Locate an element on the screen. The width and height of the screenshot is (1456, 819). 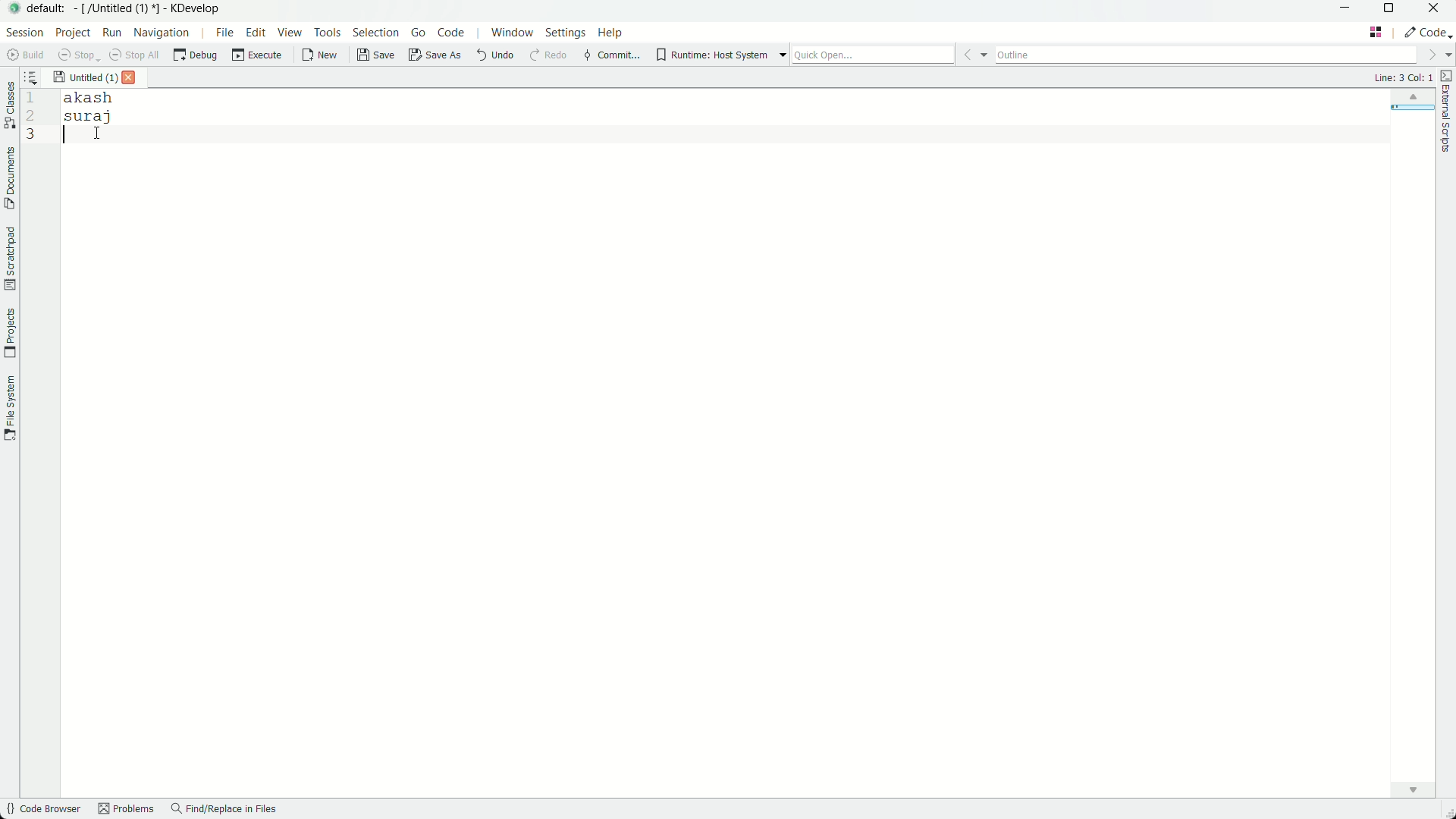
change layout is located at coordinates (1377, 32).